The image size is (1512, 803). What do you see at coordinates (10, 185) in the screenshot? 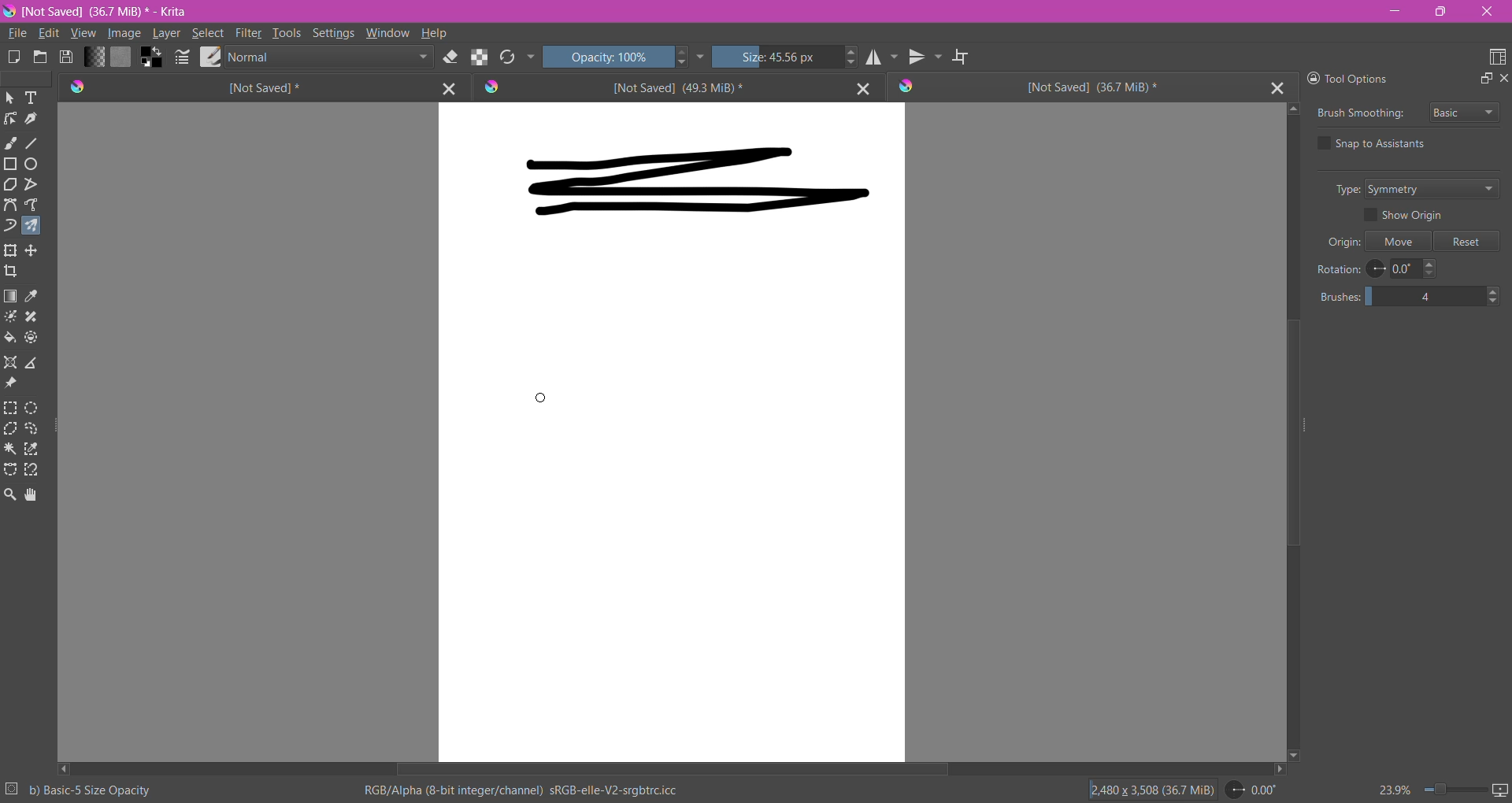
I see `Polygon Tool` at bounding box center [10, 185].